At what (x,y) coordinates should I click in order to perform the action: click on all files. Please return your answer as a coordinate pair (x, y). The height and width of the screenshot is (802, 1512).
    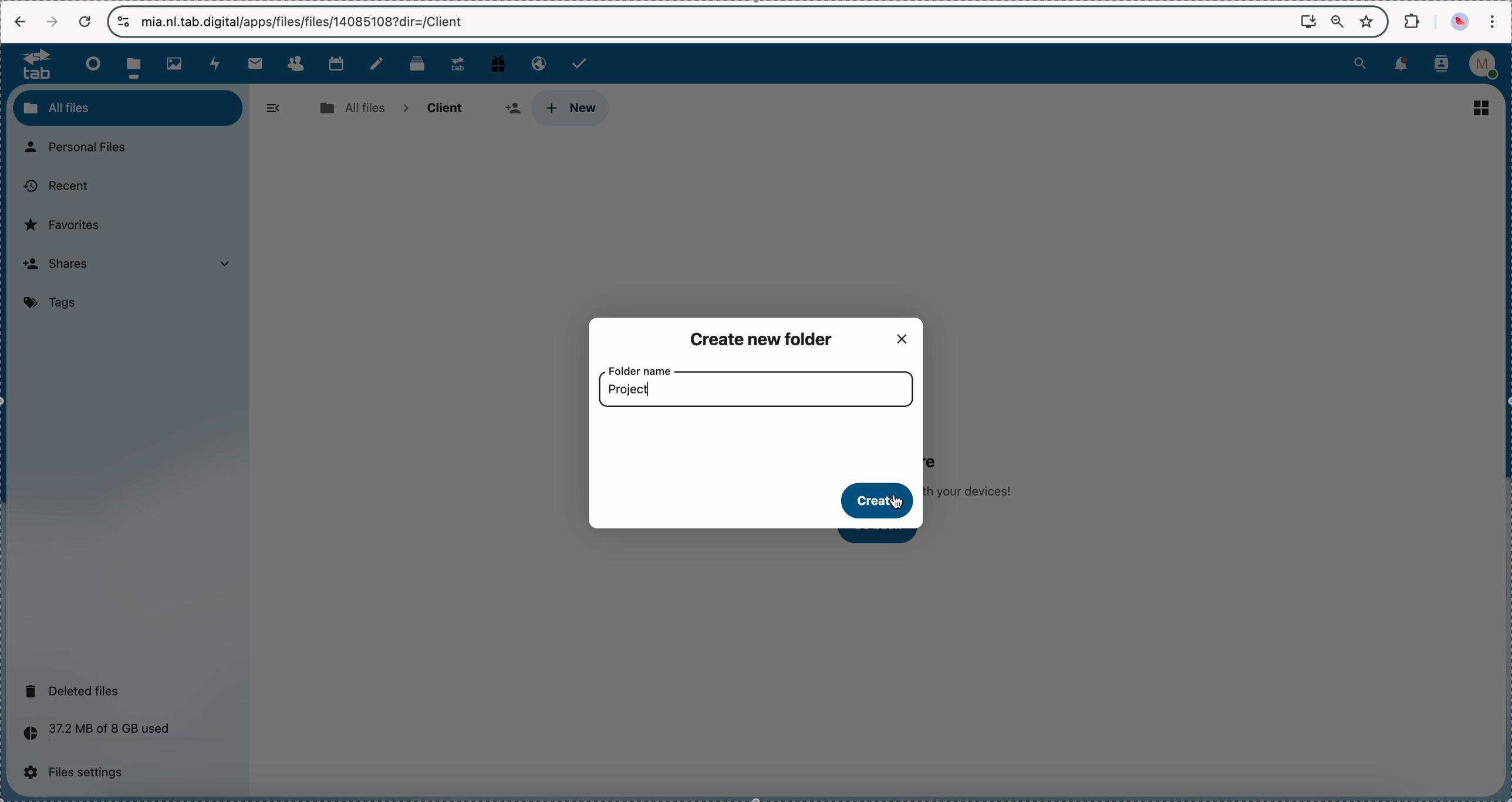
    Looking at the image, I should click on (128, 107).